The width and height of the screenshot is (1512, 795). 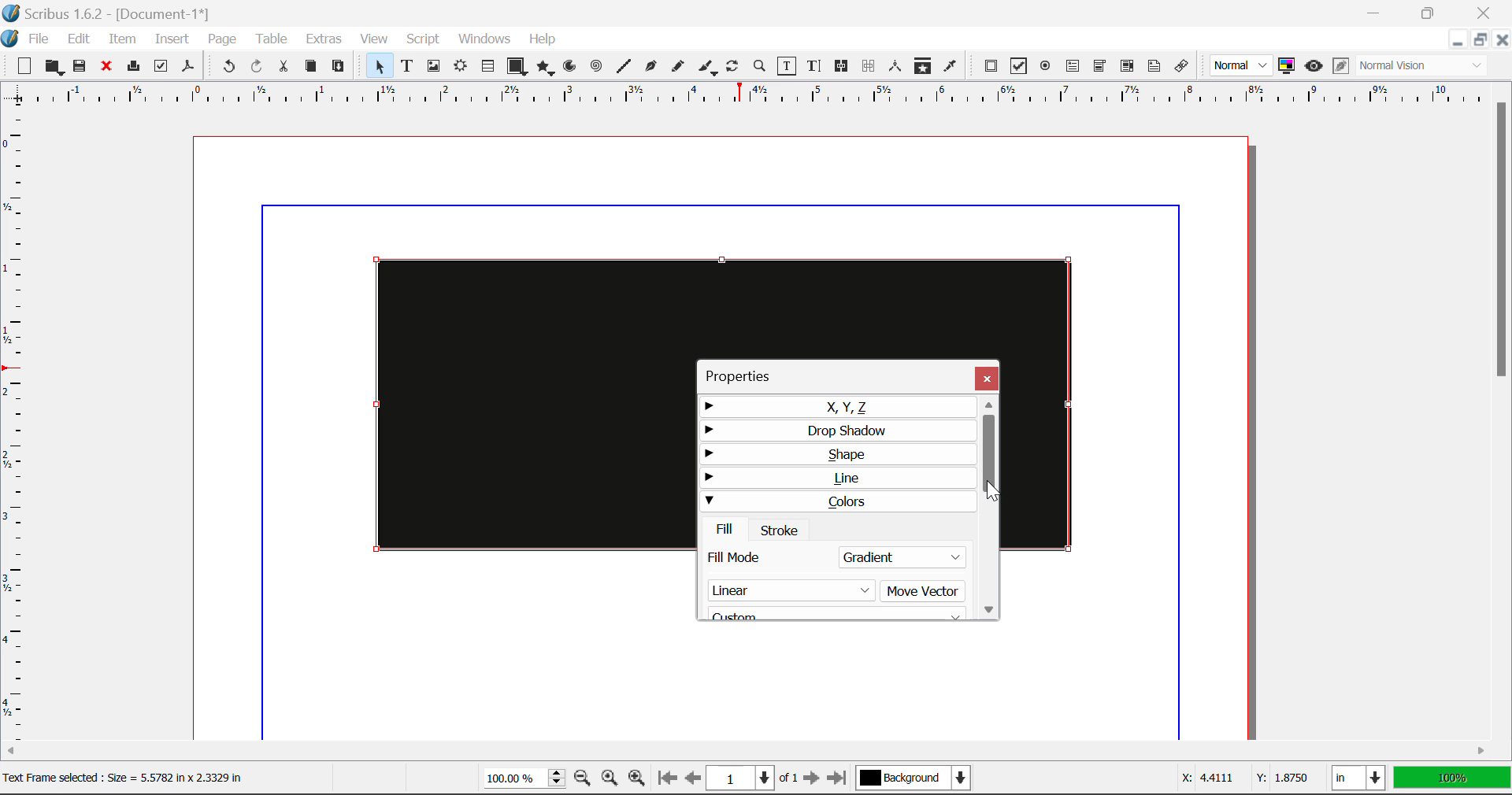 I want to click on Print, so click(x=132, y=66).